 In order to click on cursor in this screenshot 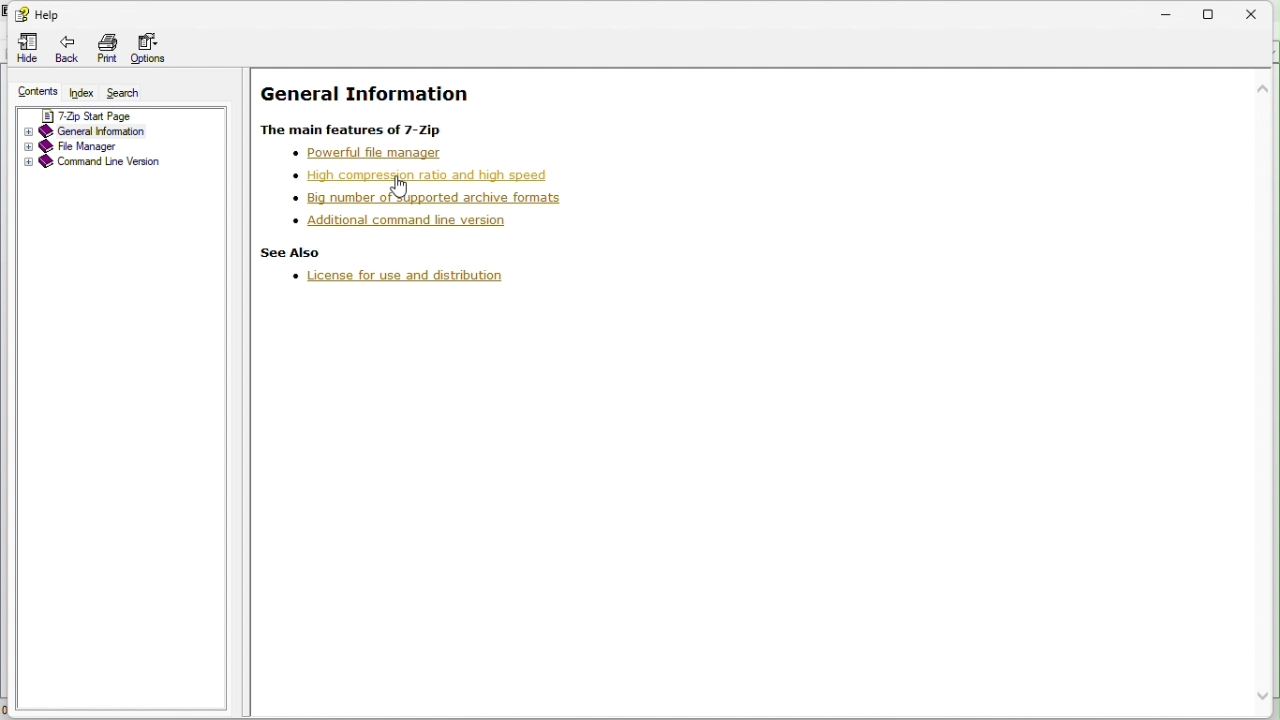, I will do `click(406, 190)`.